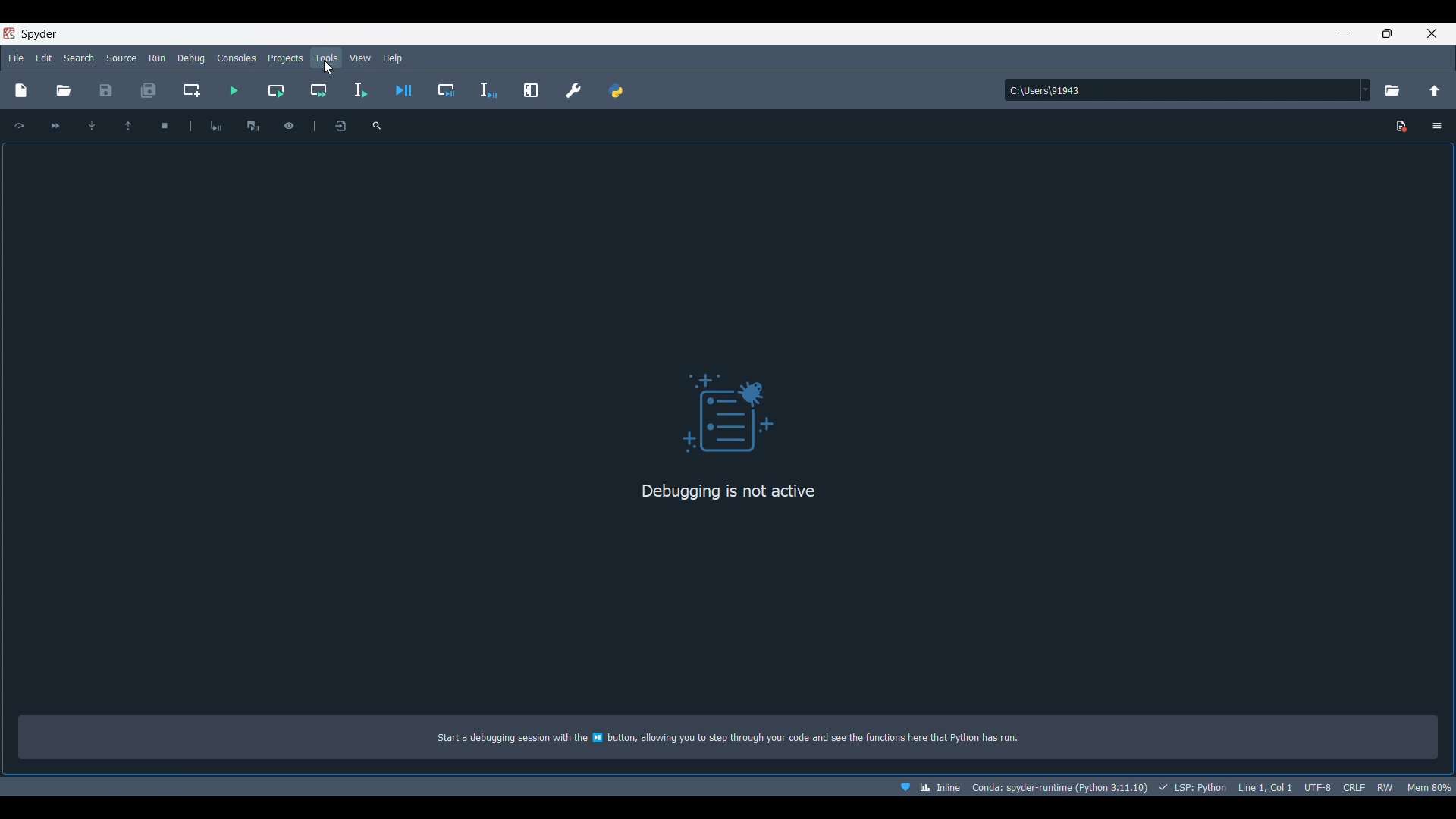 This screenshot has height=819, width=1456. Describe the element at coordinates (1367, 89) in the screenshot. I see `Location options` at that location.